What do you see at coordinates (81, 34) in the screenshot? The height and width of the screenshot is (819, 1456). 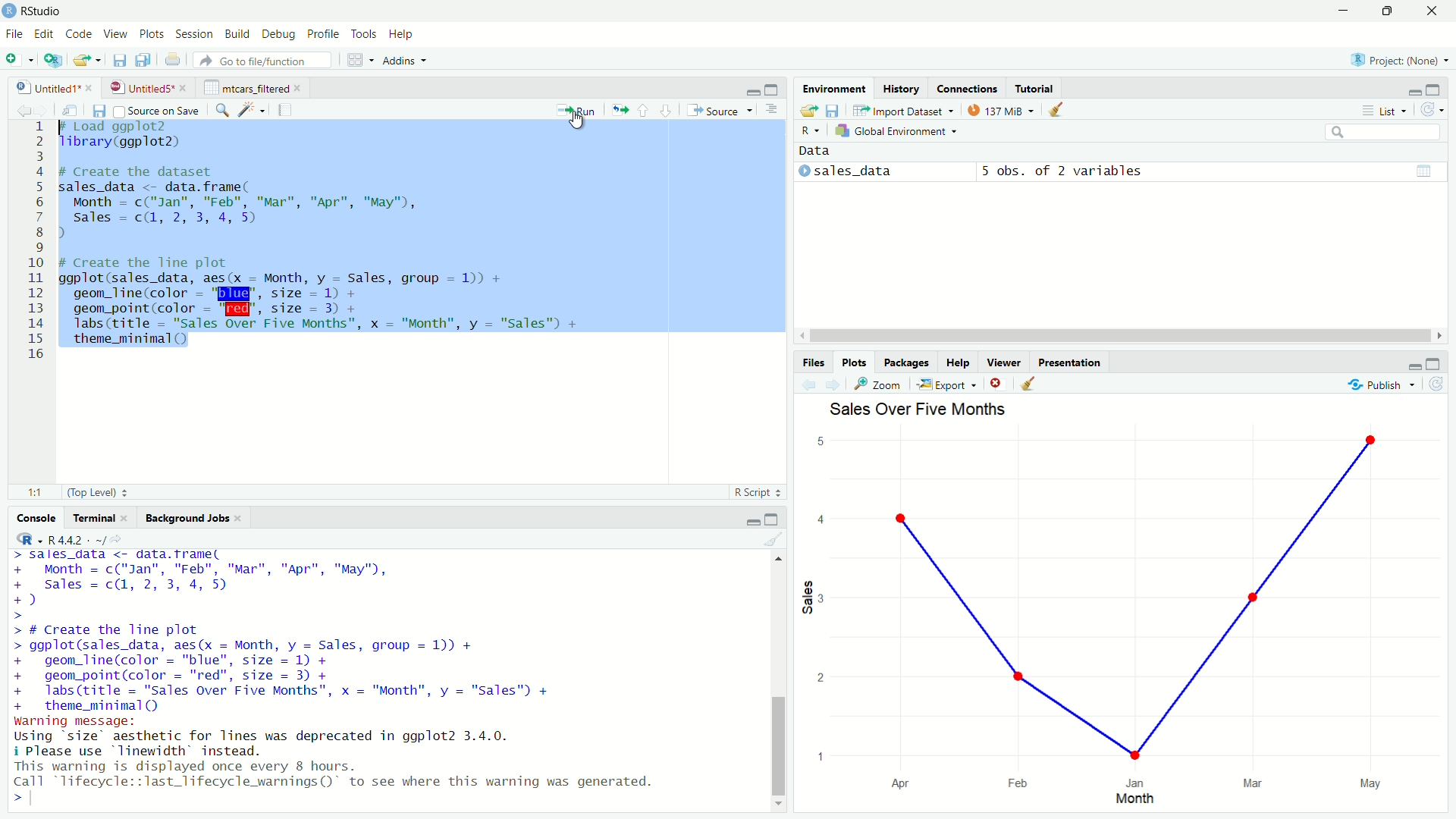 I see `code` at bounding box center [81, 34].